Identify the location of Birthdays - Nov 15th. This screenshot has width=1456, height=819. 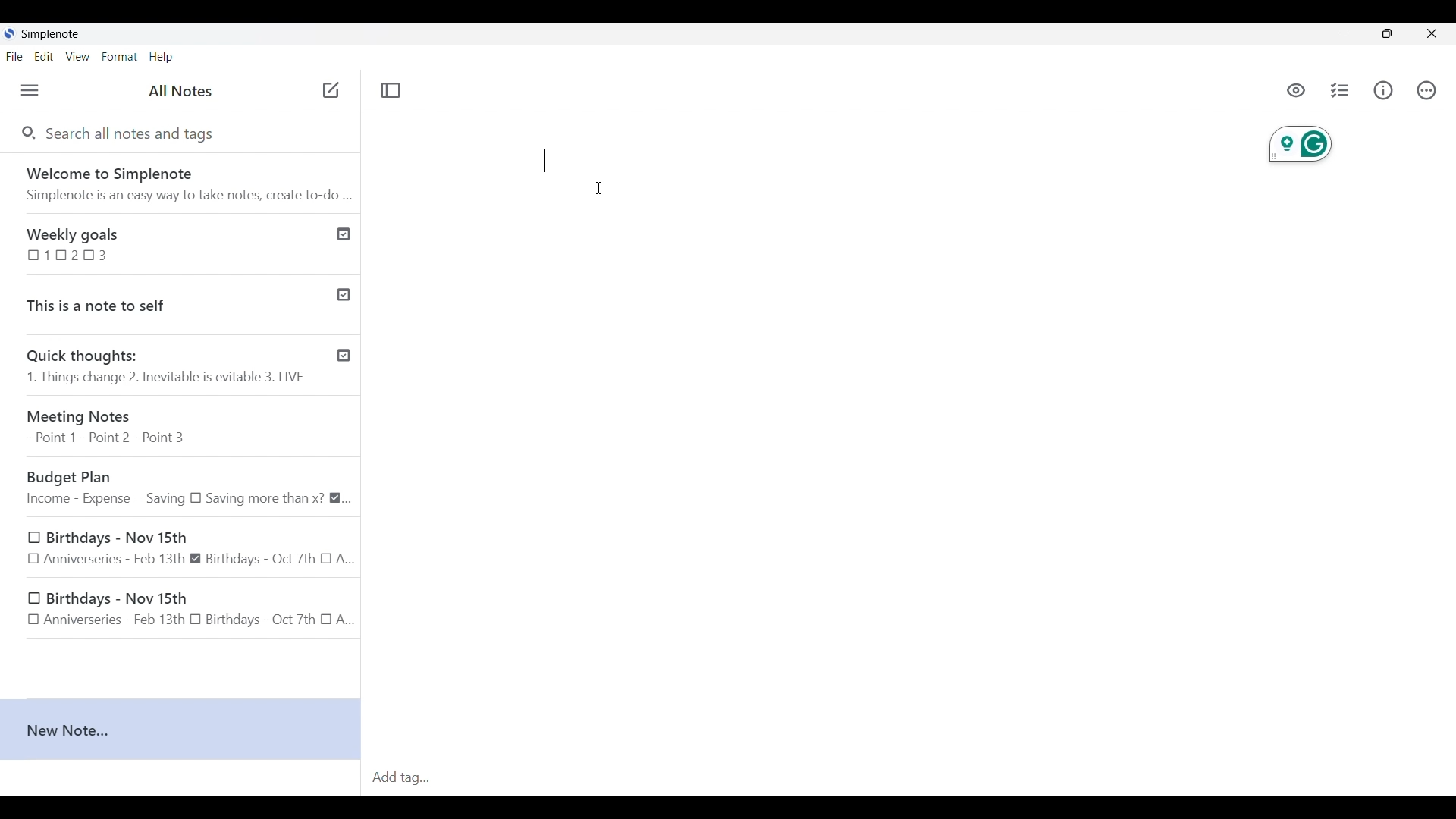
(184, 610).